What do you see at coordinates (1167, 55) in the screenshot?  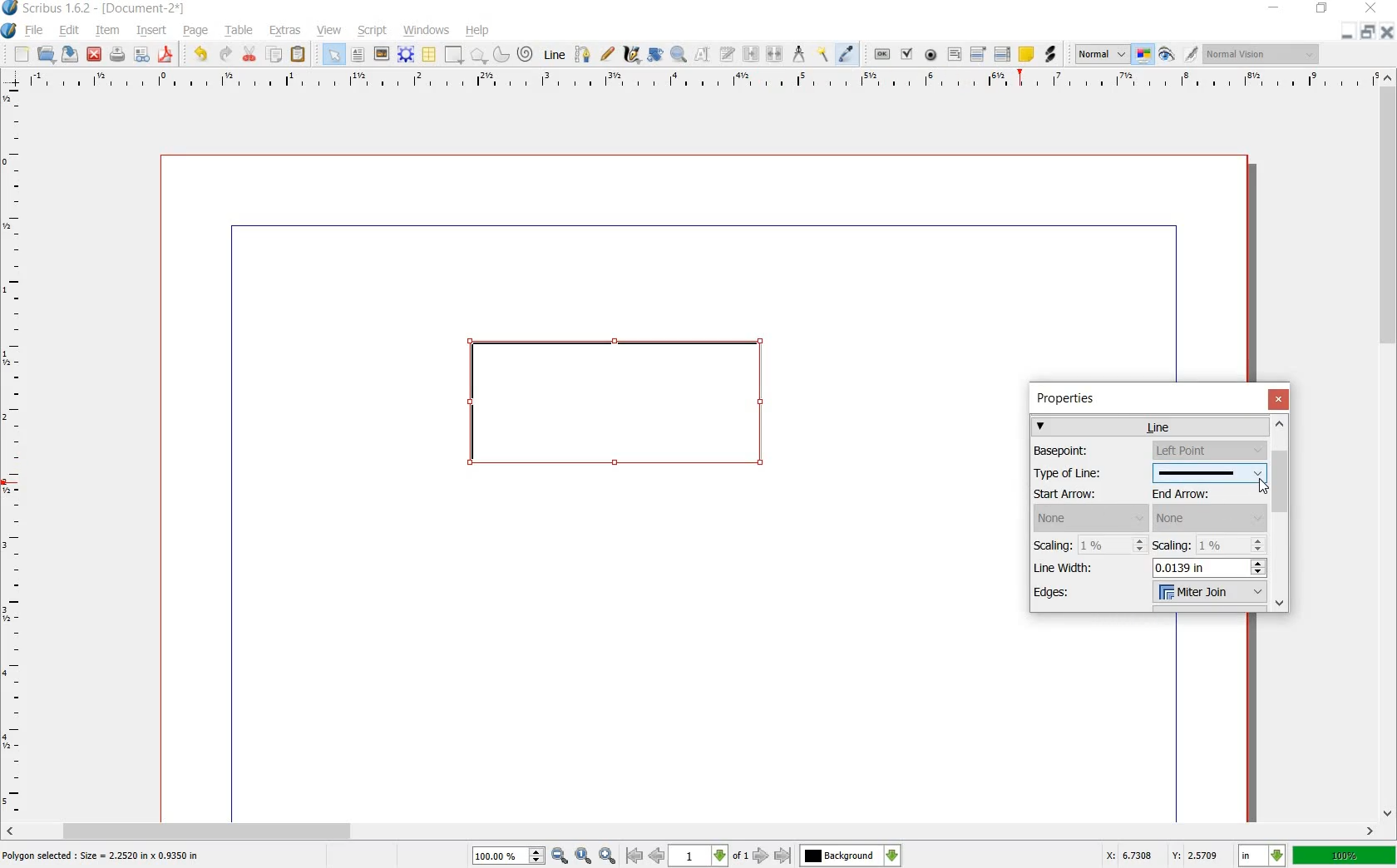 I see `PREVIEW MODE` at bounding box center [1167, 55].